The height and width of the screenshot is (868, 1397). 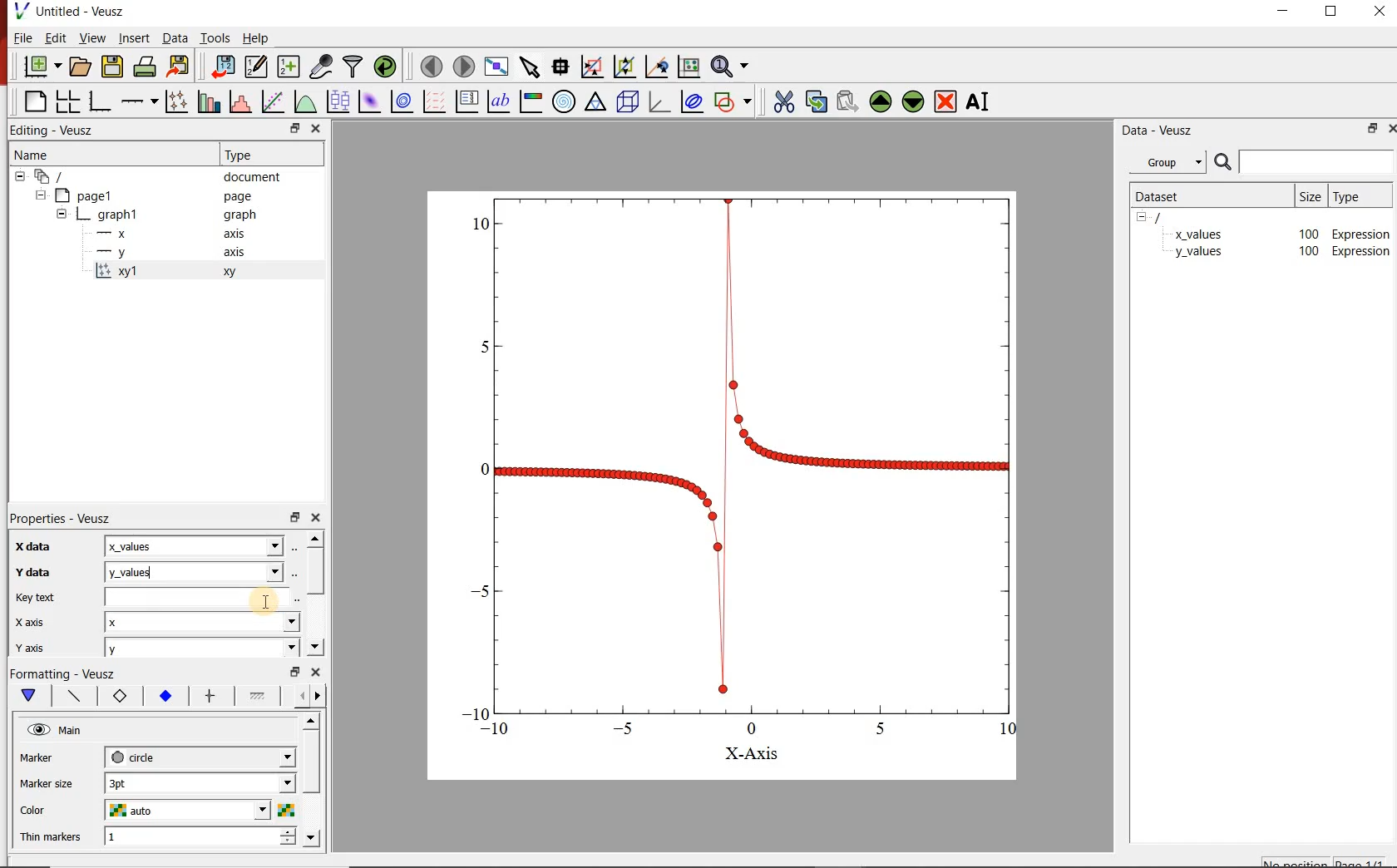 I want to click on graph, so click(x=239, y=215).